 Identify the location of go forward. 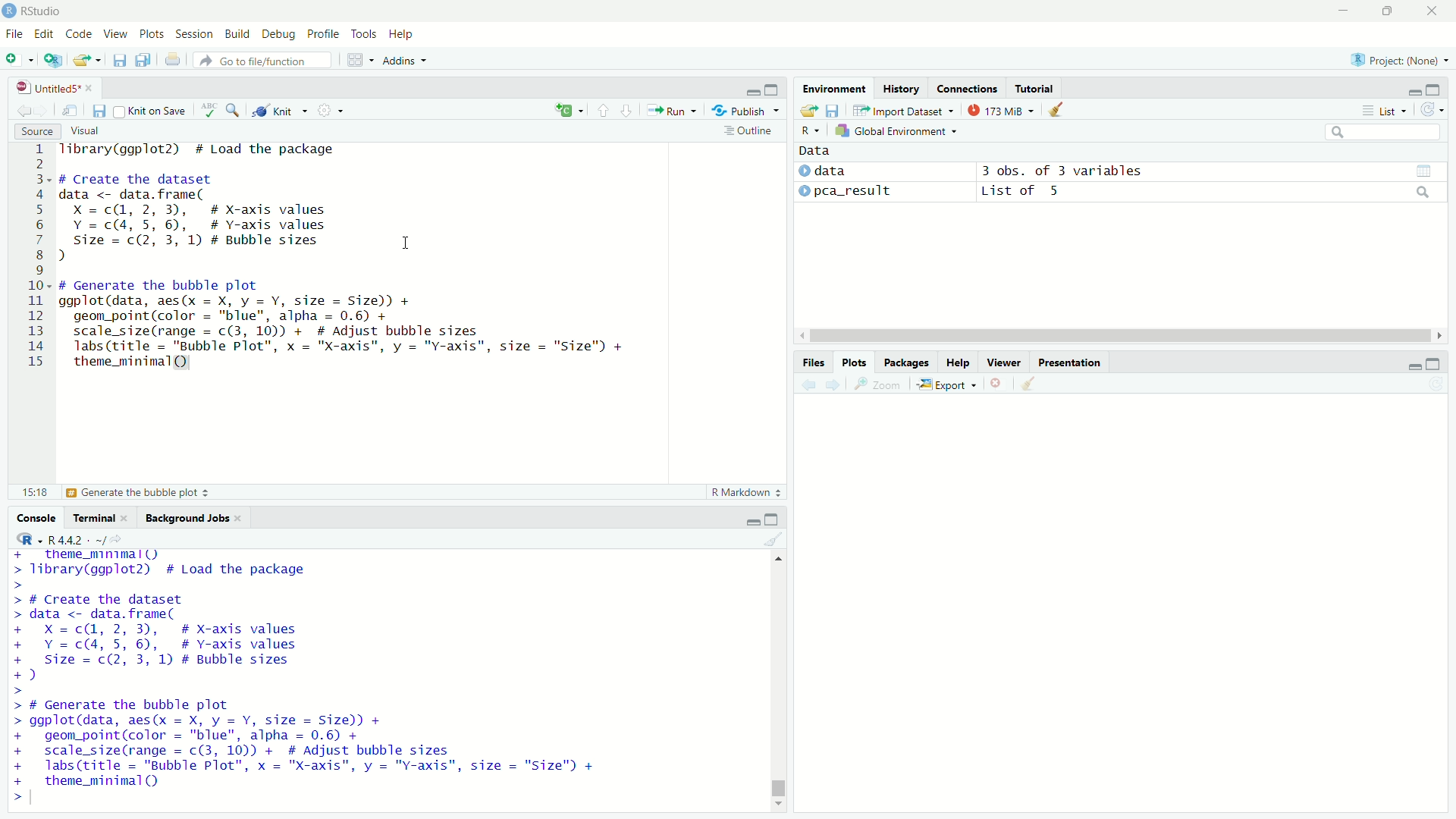
(46, 108).